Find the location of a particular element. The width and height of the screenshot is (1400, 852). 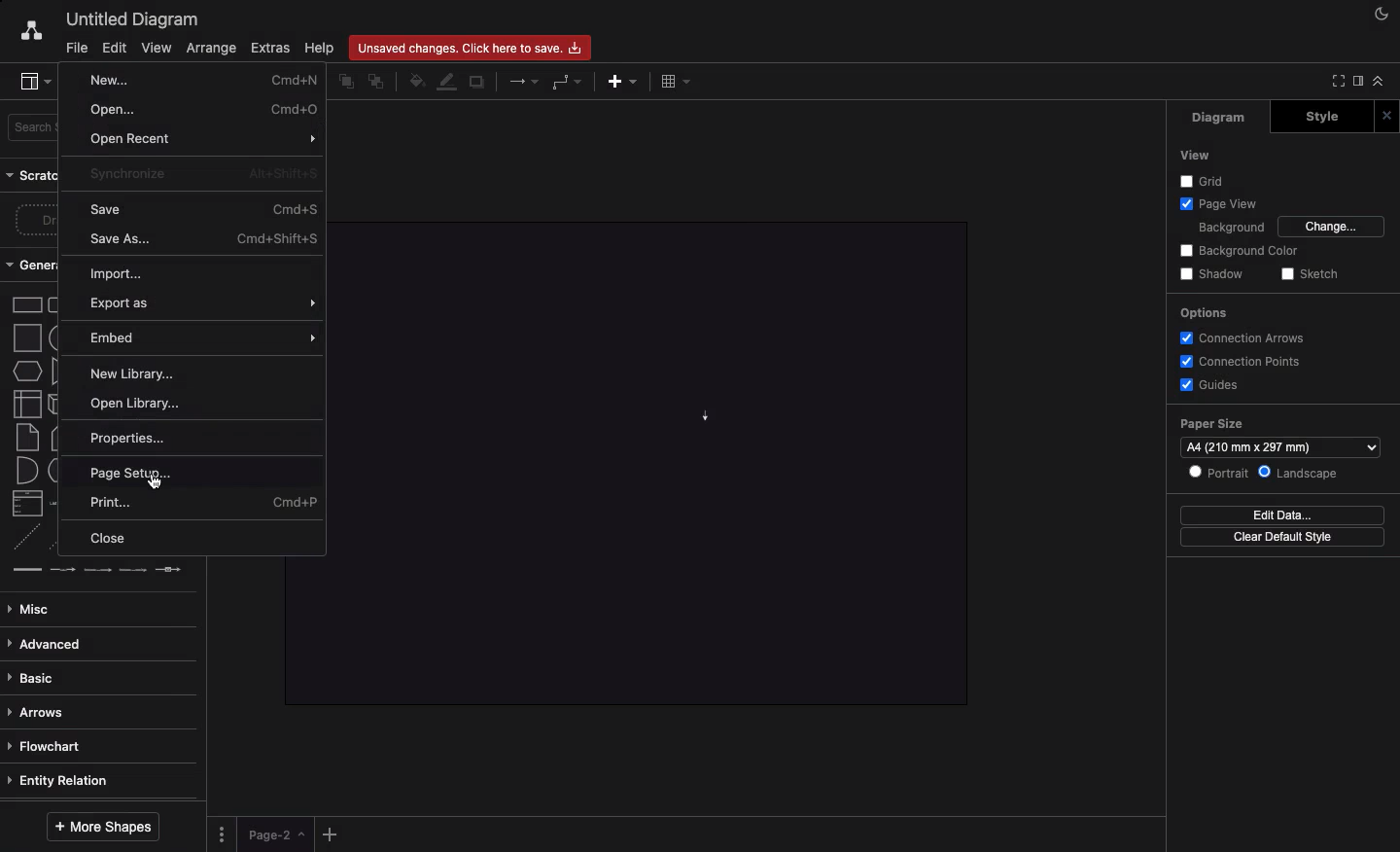

Night mode is located at coordinates (1382, 15).